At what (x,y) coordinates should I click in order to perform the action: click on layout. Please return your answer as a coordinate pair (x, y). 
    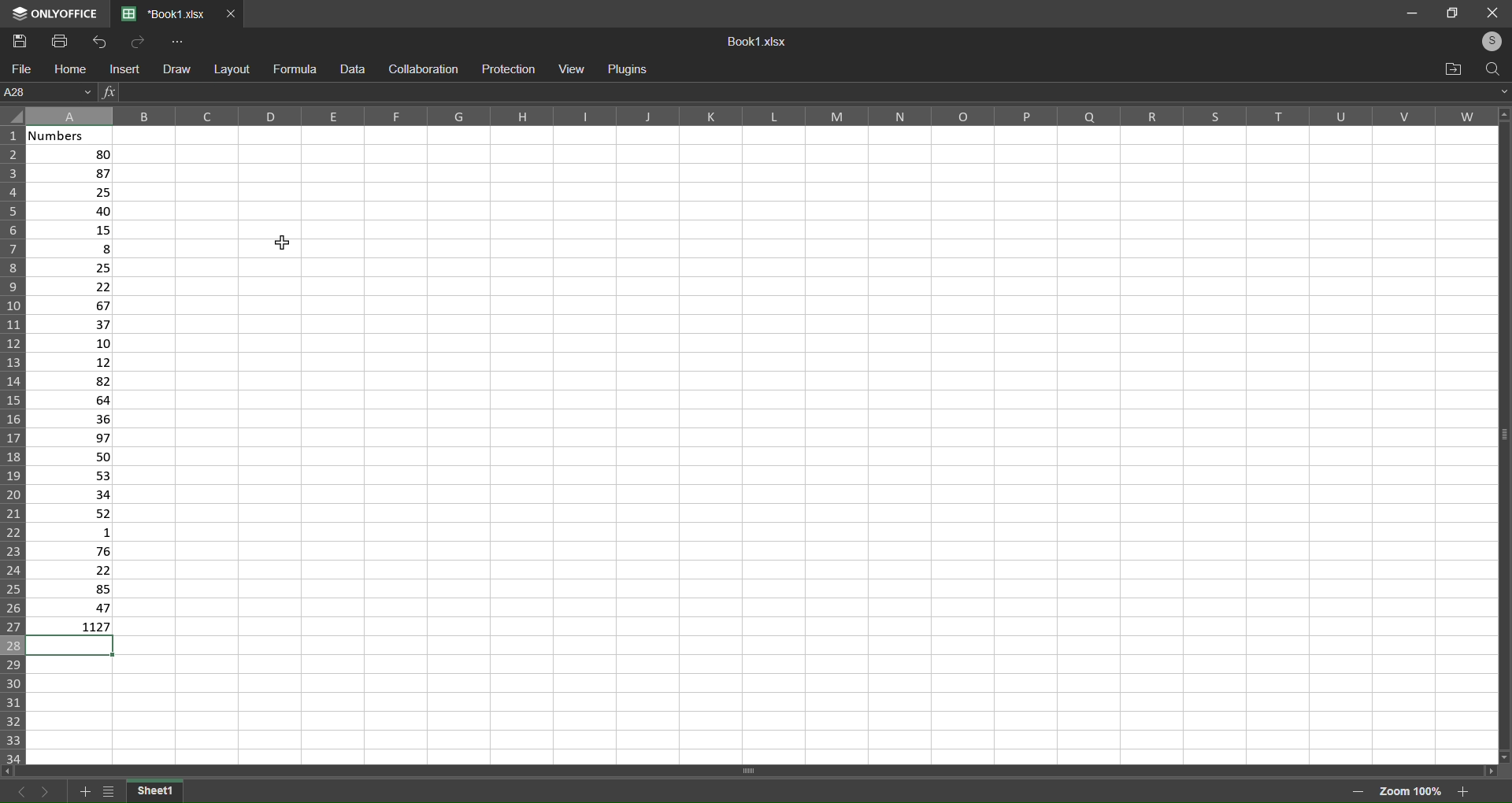
    Looking at the image, I should click on (232, 69).